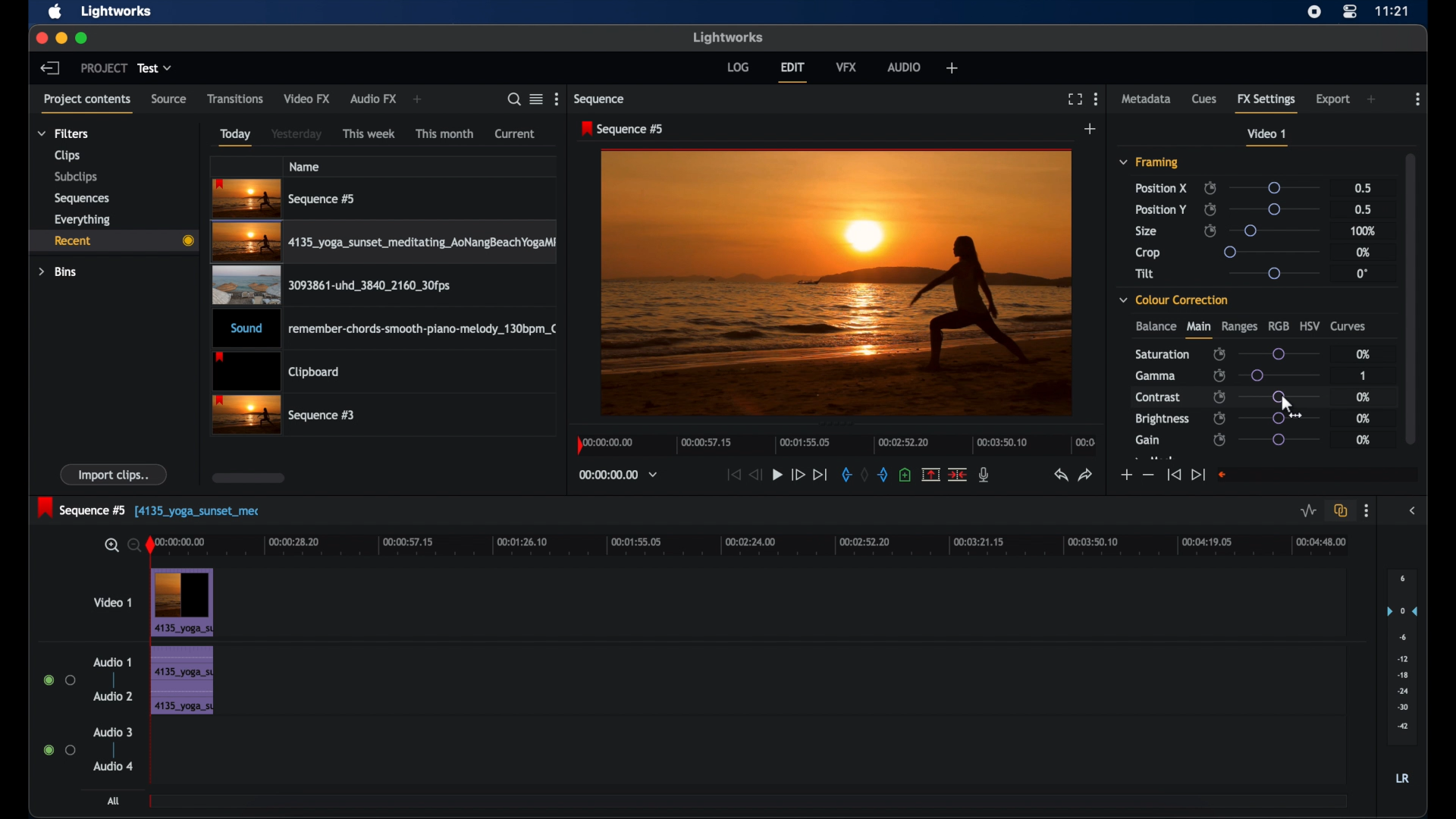  I want to click on timeline, so click(837, 444).